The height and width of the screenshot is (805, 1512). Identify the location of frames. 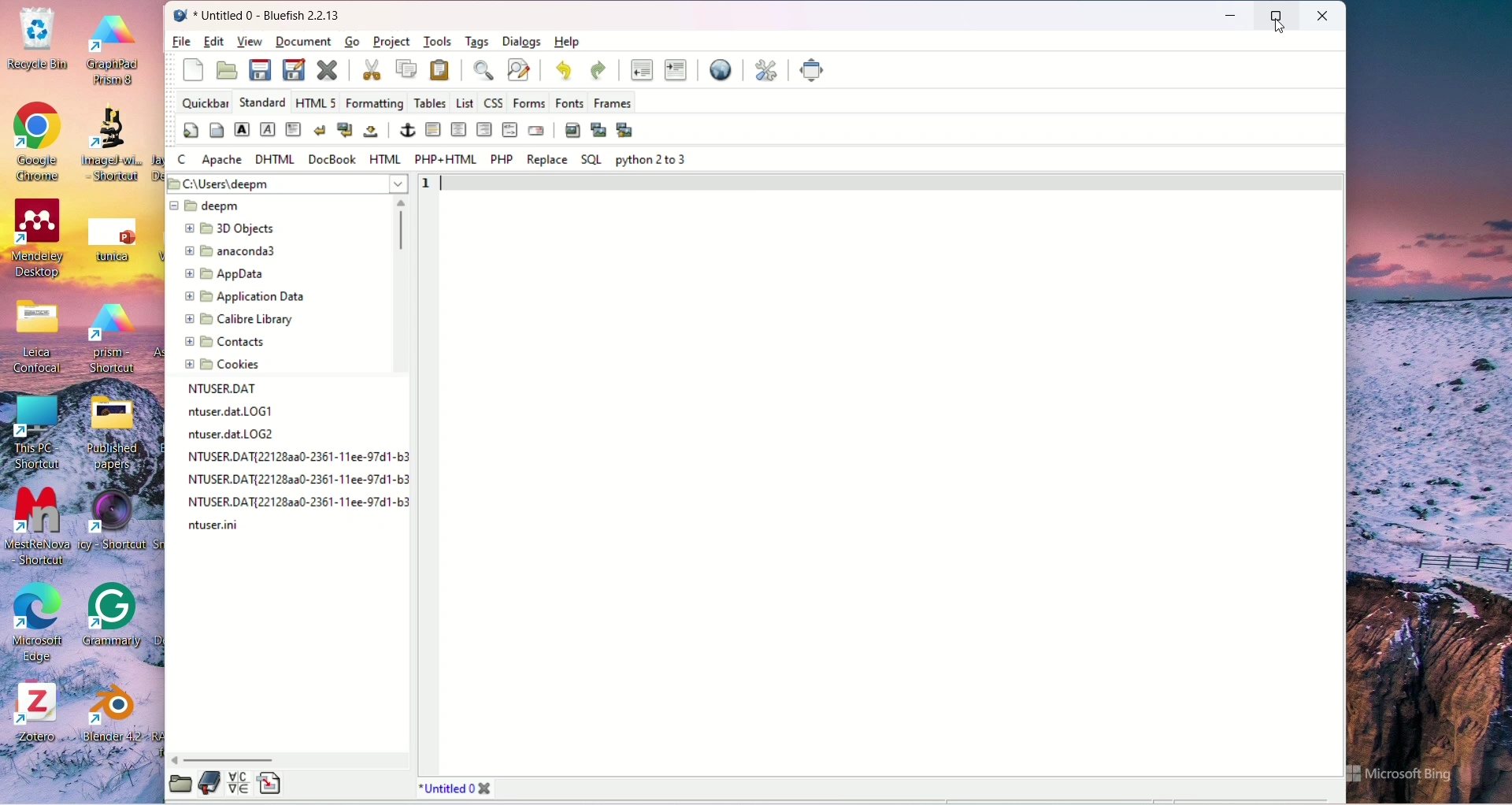
(613, 103).